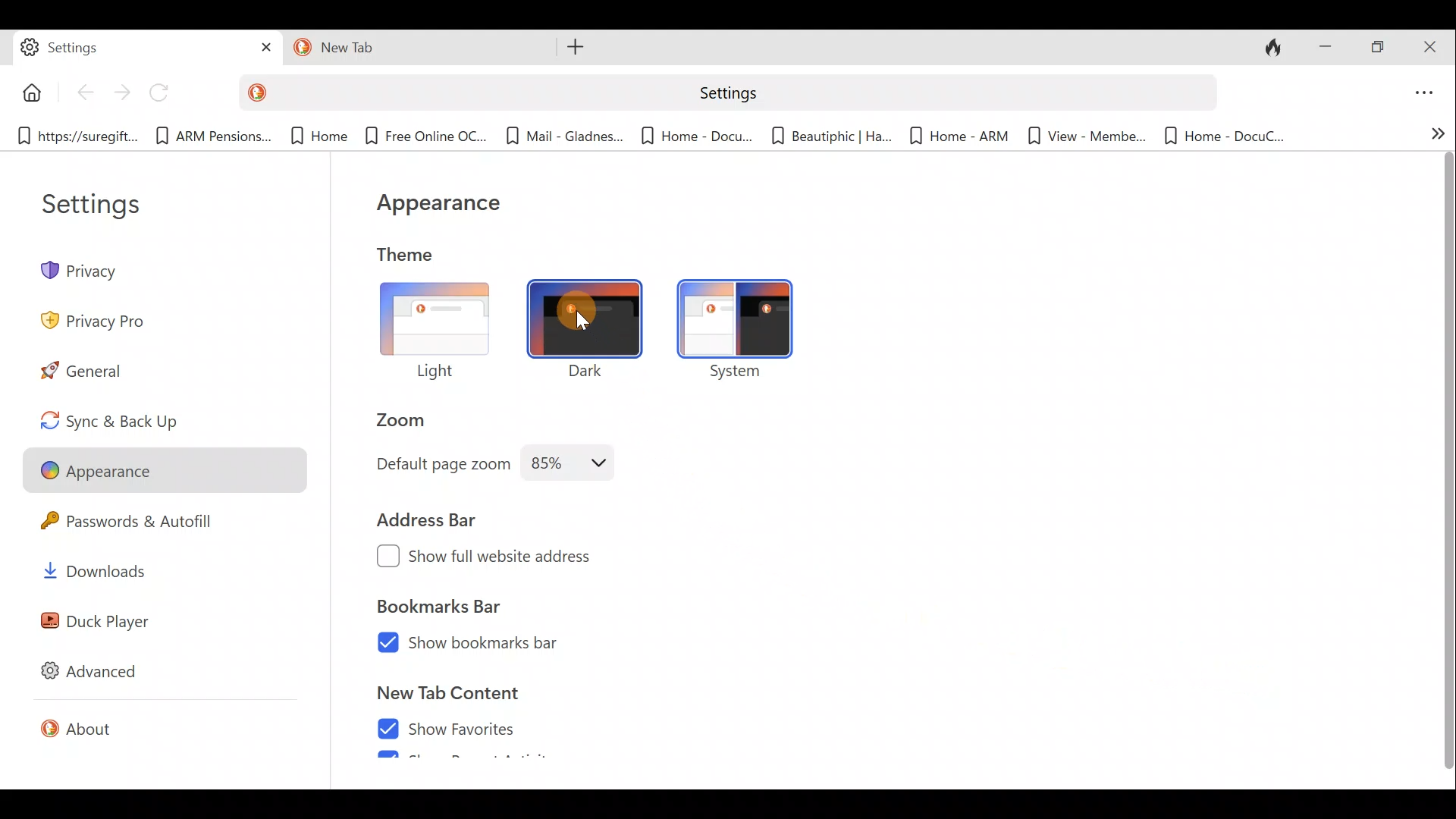 This screenshot has height=819, width=1456. Describe the element at coordinates (85, 670) in the screenshot. I see `Advanced` at that location.